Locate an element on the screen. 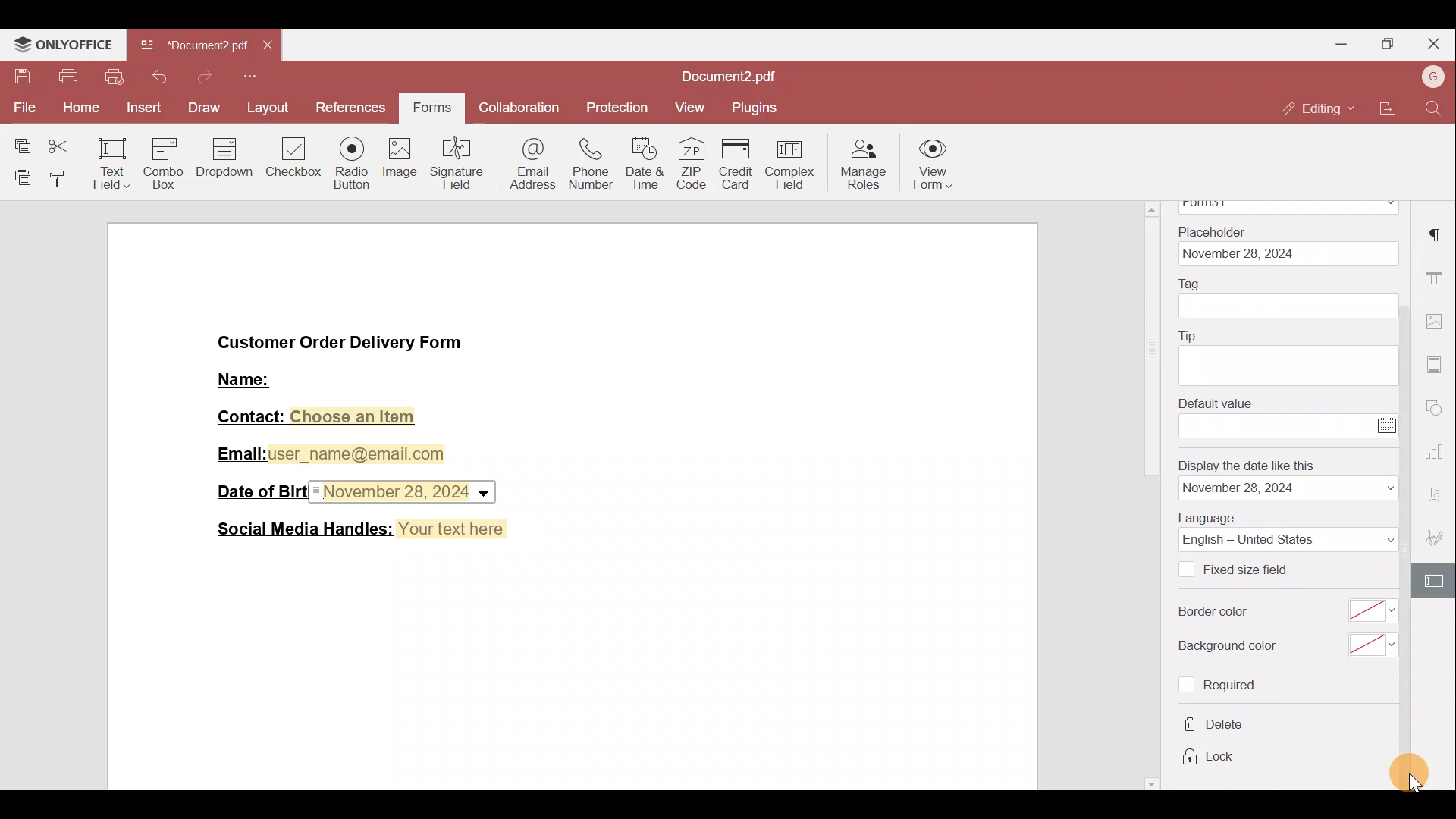 The image size is (1456, 819). cursor is located at coordinates (1412, 780).